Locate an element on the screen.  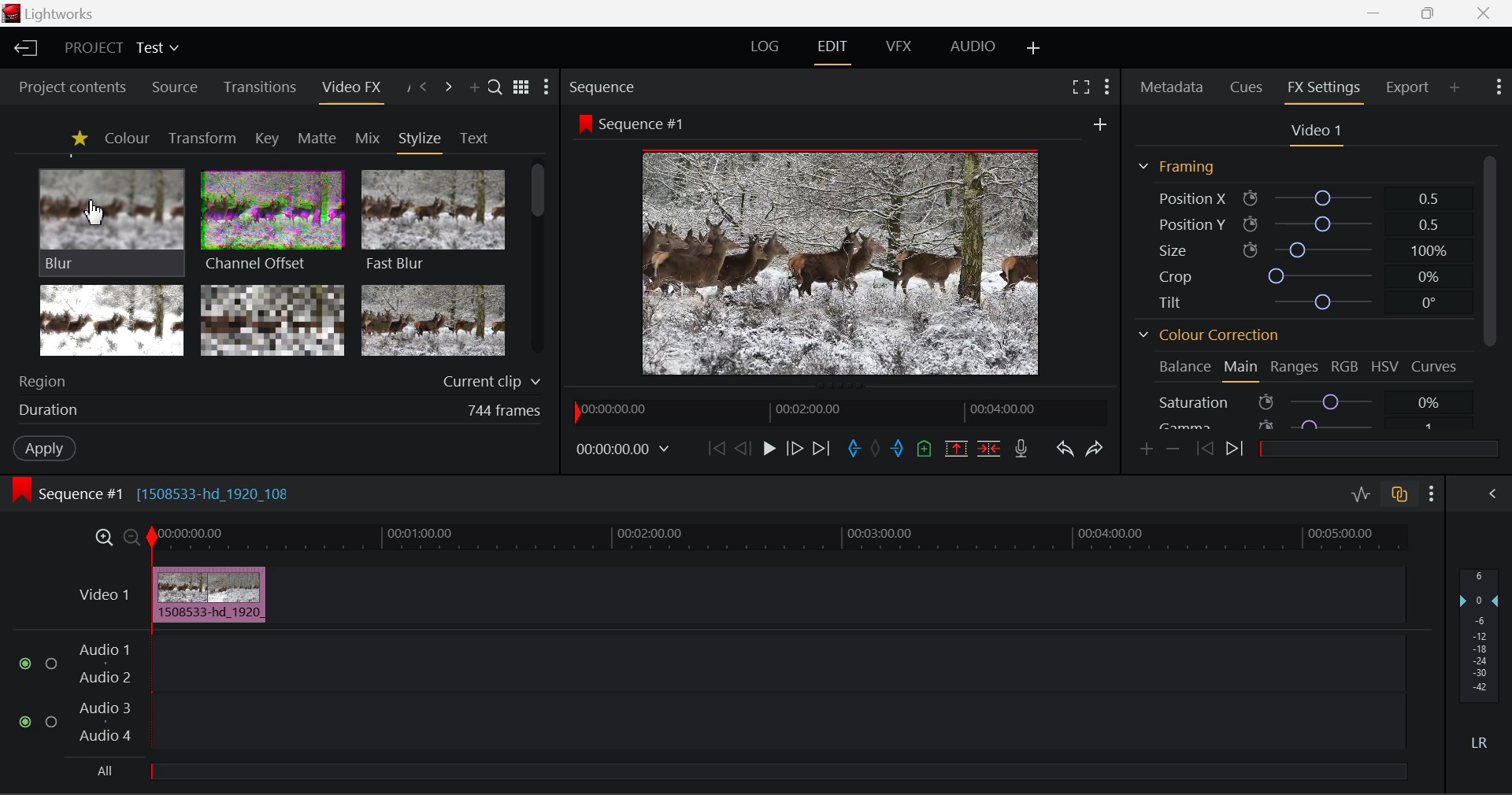
Toggle audio levels editing is located at coordinates (1360, 493).